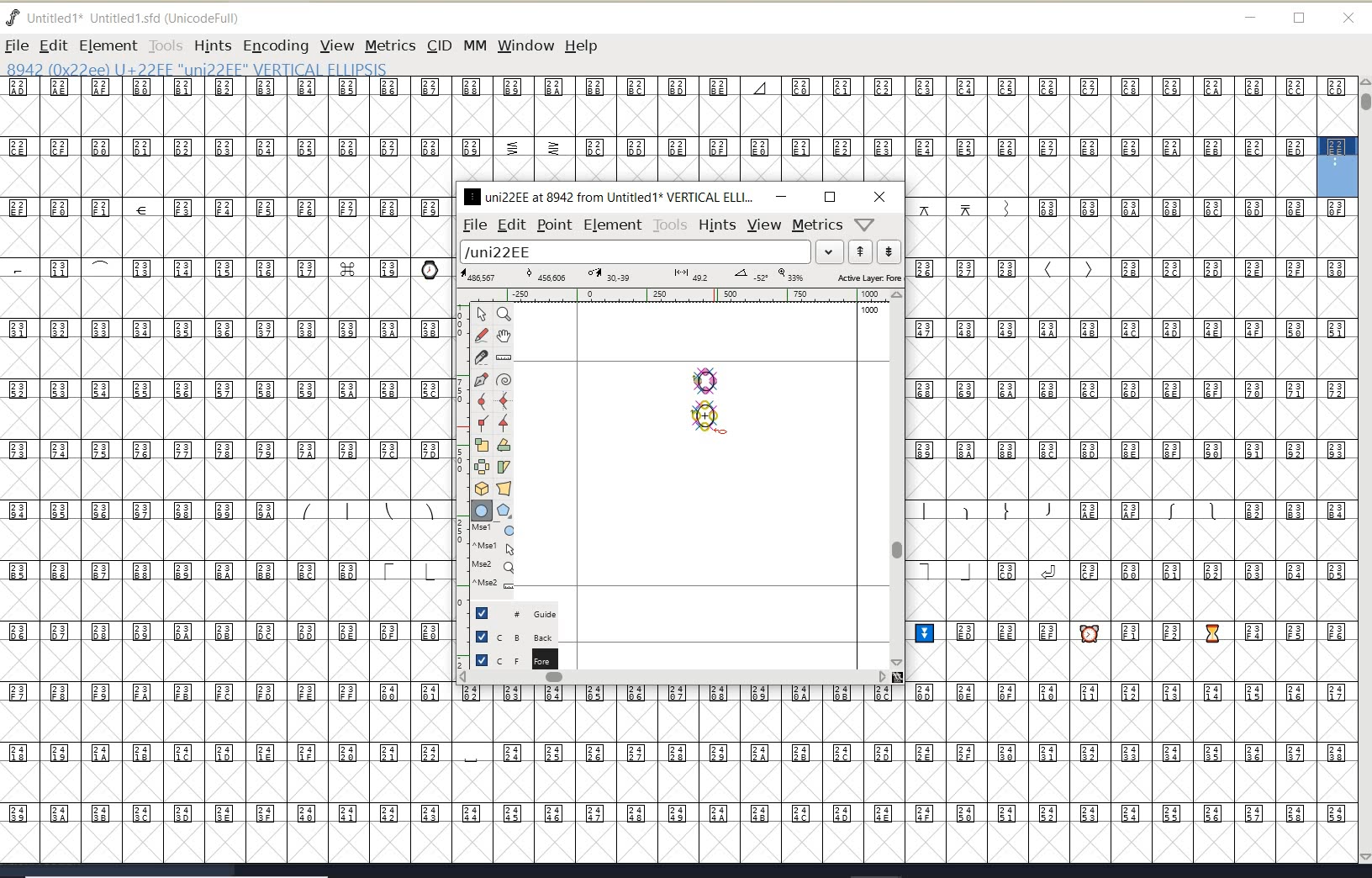  Describe the element at coordinates (504, 382) in the screenshot. I see `change whether spiro is active or not` at that location.